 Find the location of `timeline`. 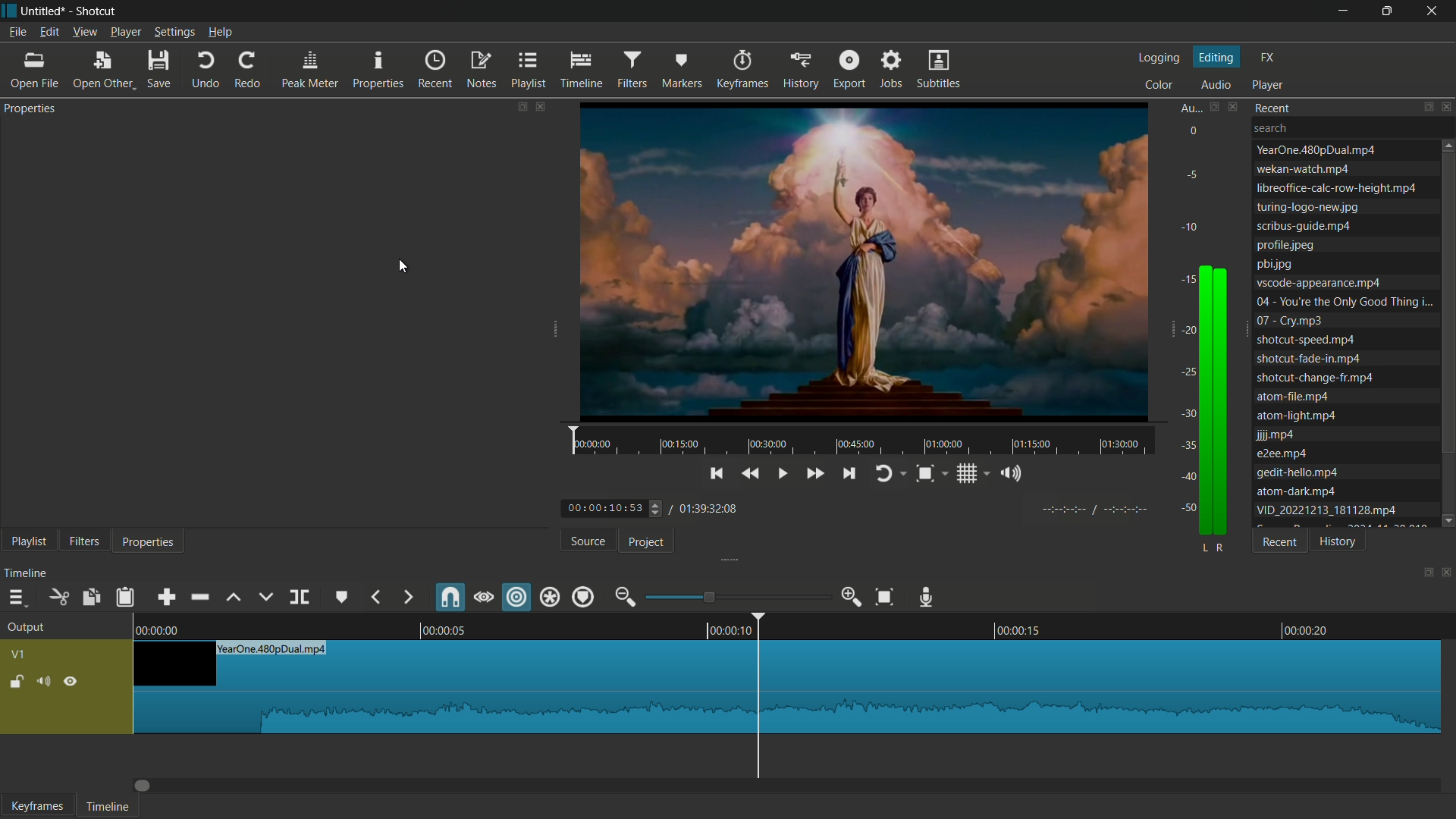

timeline is located at coordinates (27, 572).